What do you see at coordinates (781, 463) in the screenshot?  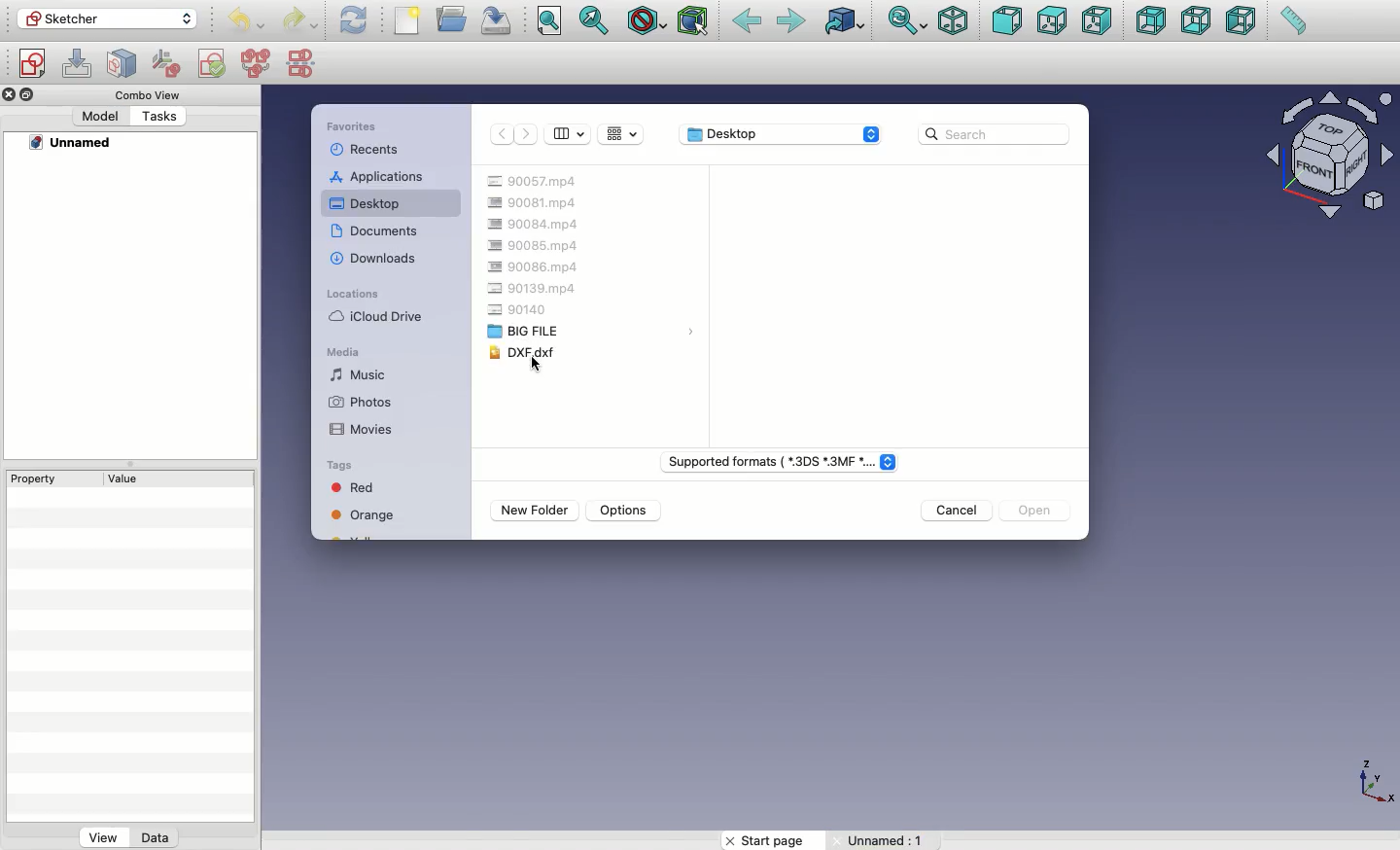 I see `File type` at bounding box center [781, 463].